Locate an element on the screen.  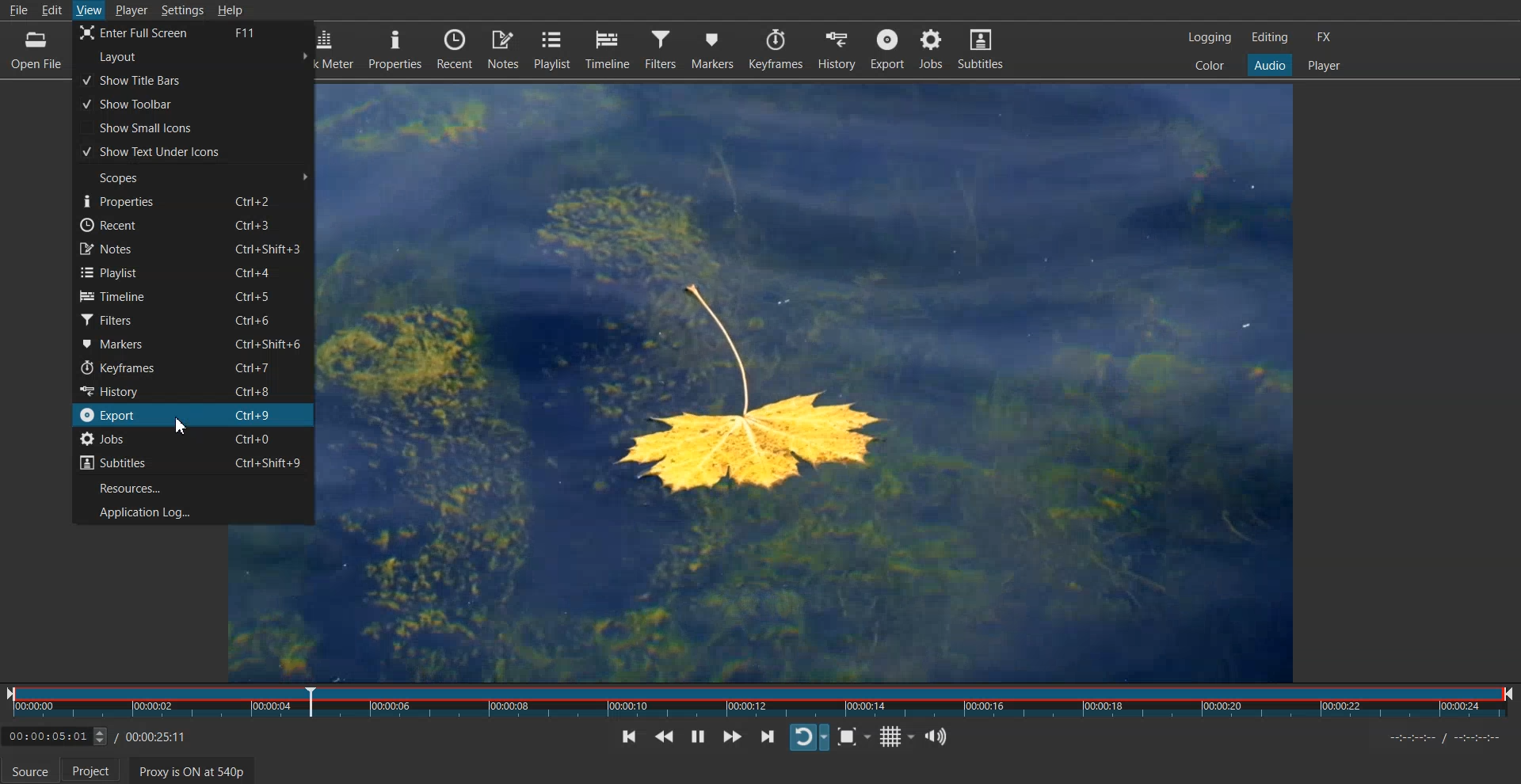
Markers is located at coordinates (192, 343).